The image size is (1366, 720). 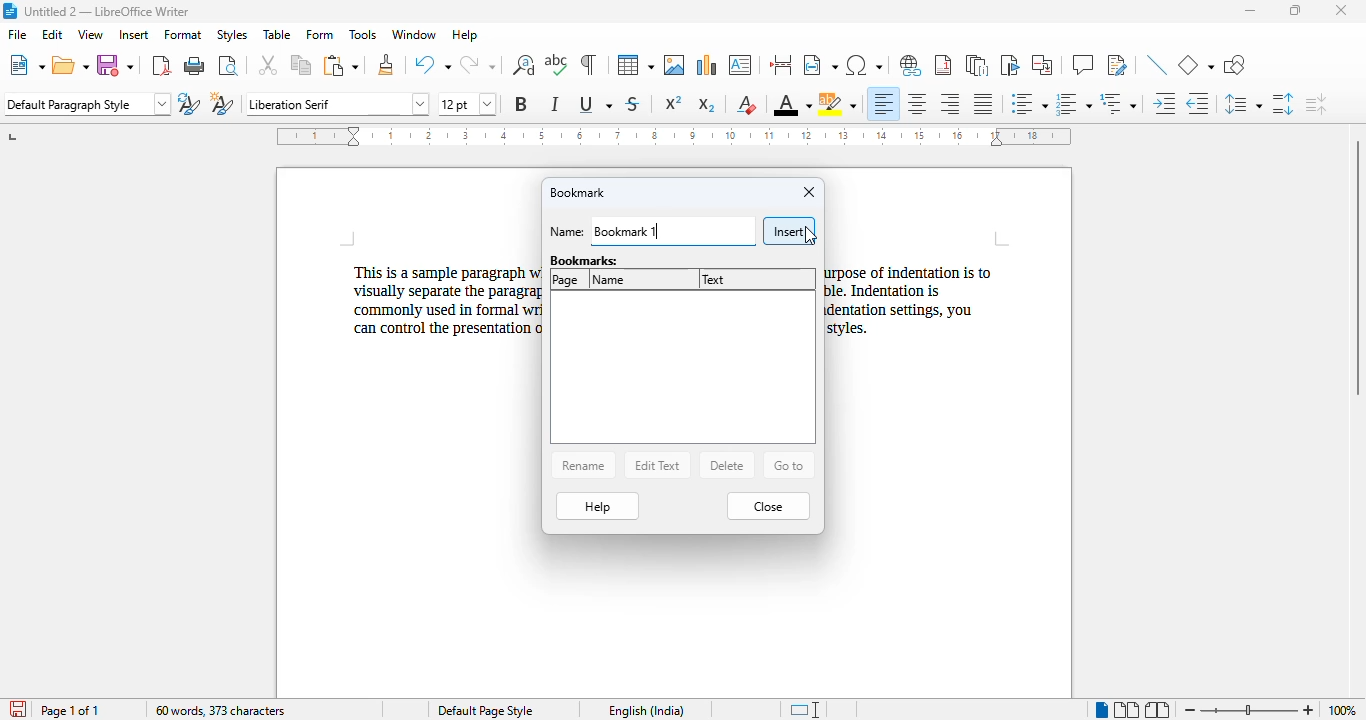 What do you see at coordinates (27, 65) in the screenshot?
I see `new` at bounding box center [27, 65].